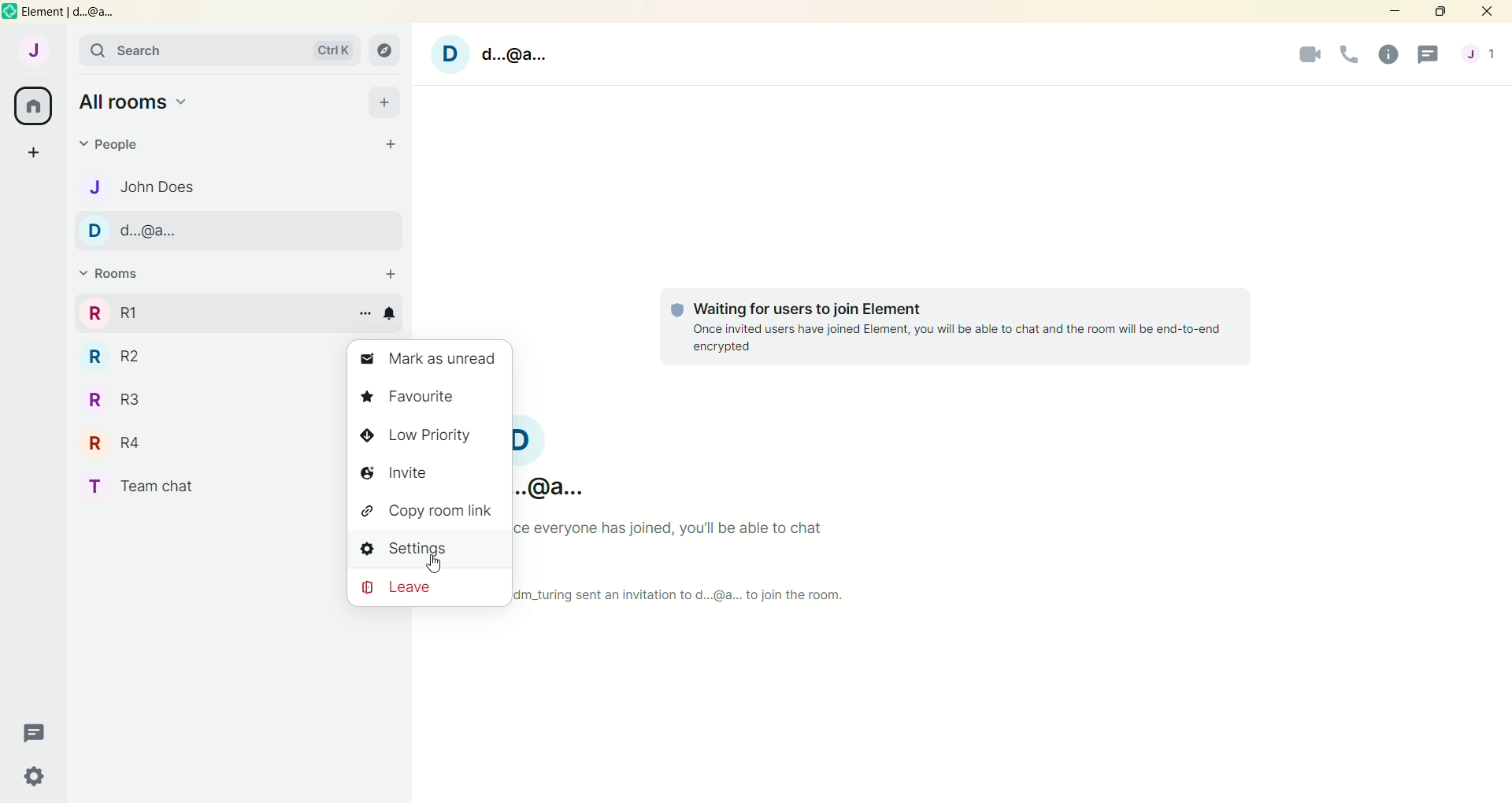 This screenshot has height=803, width=1512. Describe the element at coordinates (386, 51) in the screenshot. I see `explore rooms` at that location.